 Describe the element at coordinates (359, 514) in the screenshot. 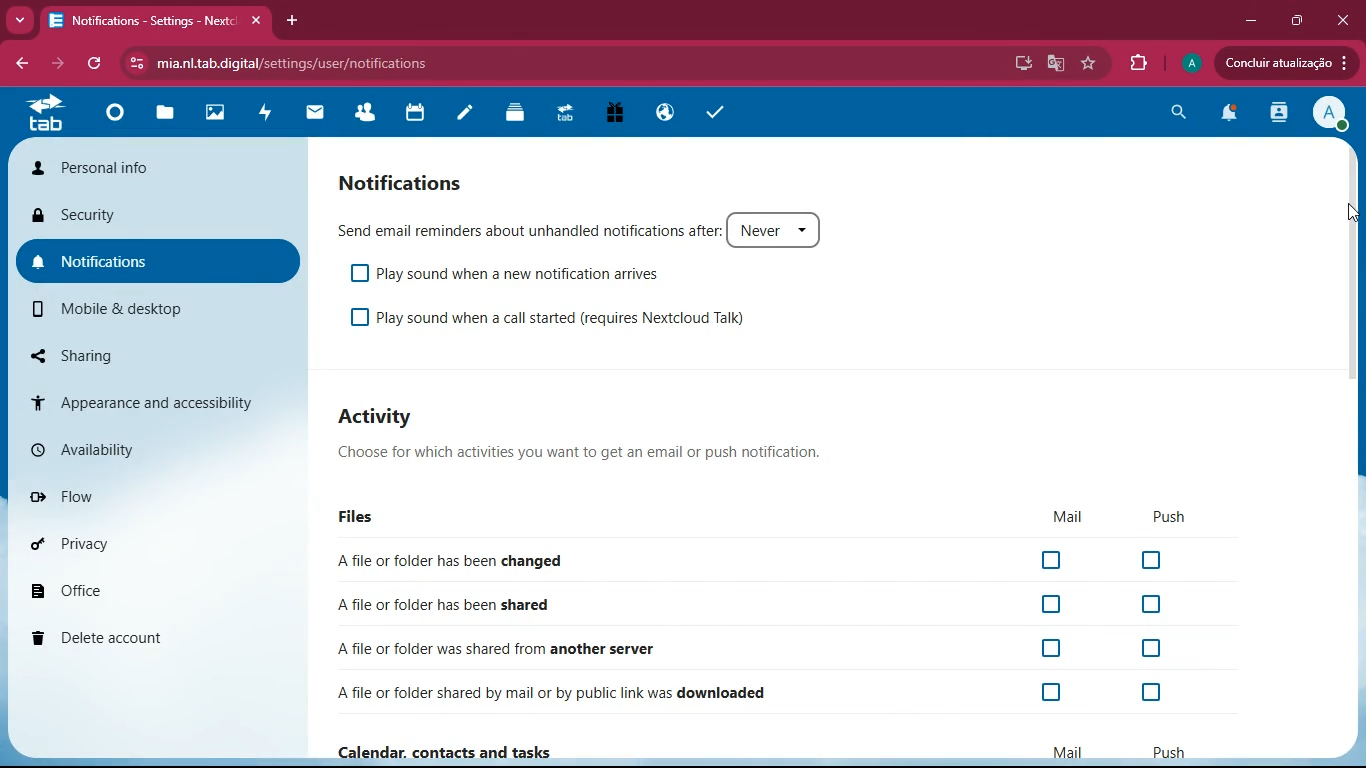

I see `files` at that location.